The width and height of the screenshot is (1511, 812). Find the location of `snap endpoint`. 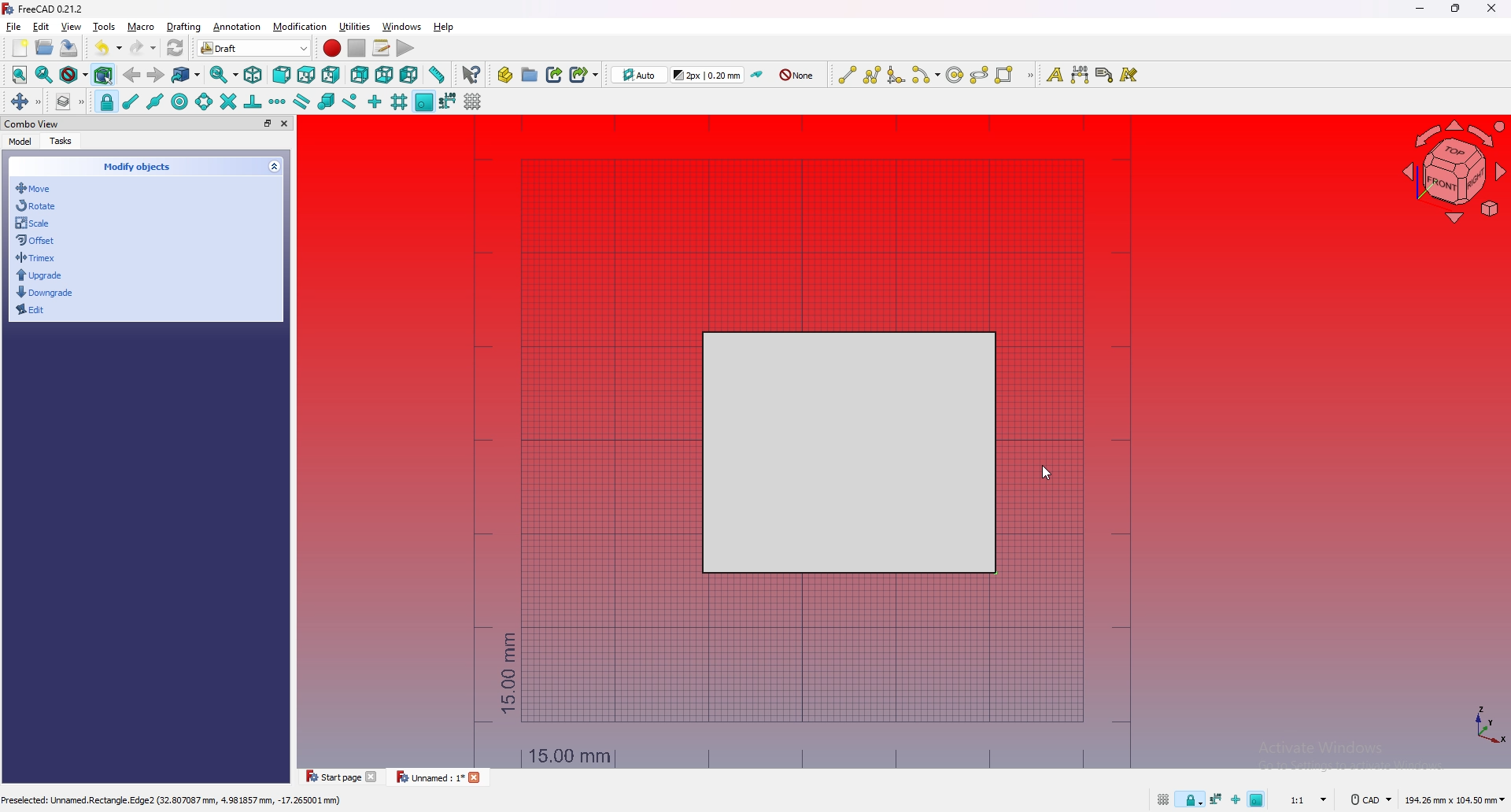

snap endpoint is located at coordinates (130, 102).